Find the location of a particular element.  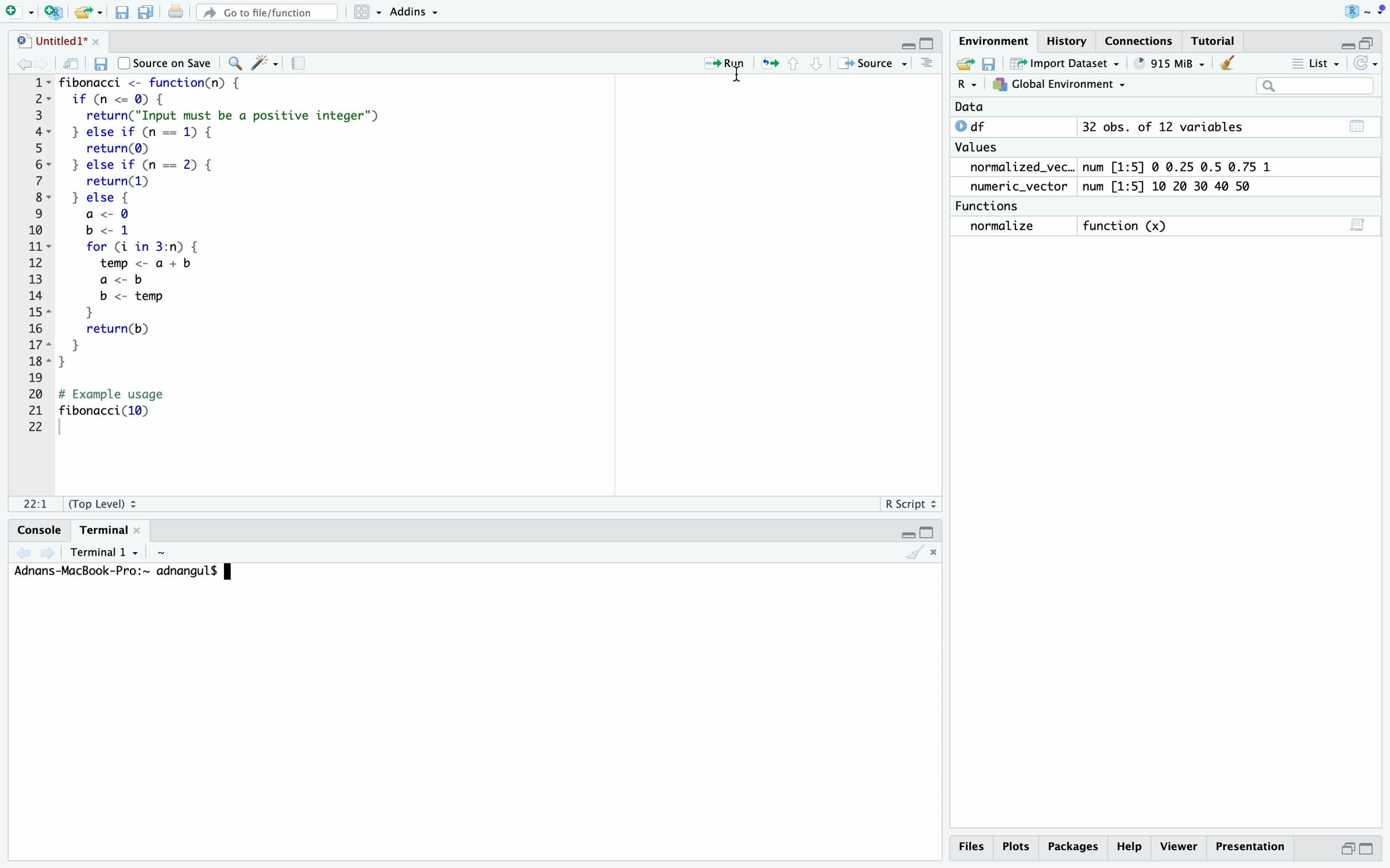

32 obs. of 12 variables is located at coordinates (1164, 126).